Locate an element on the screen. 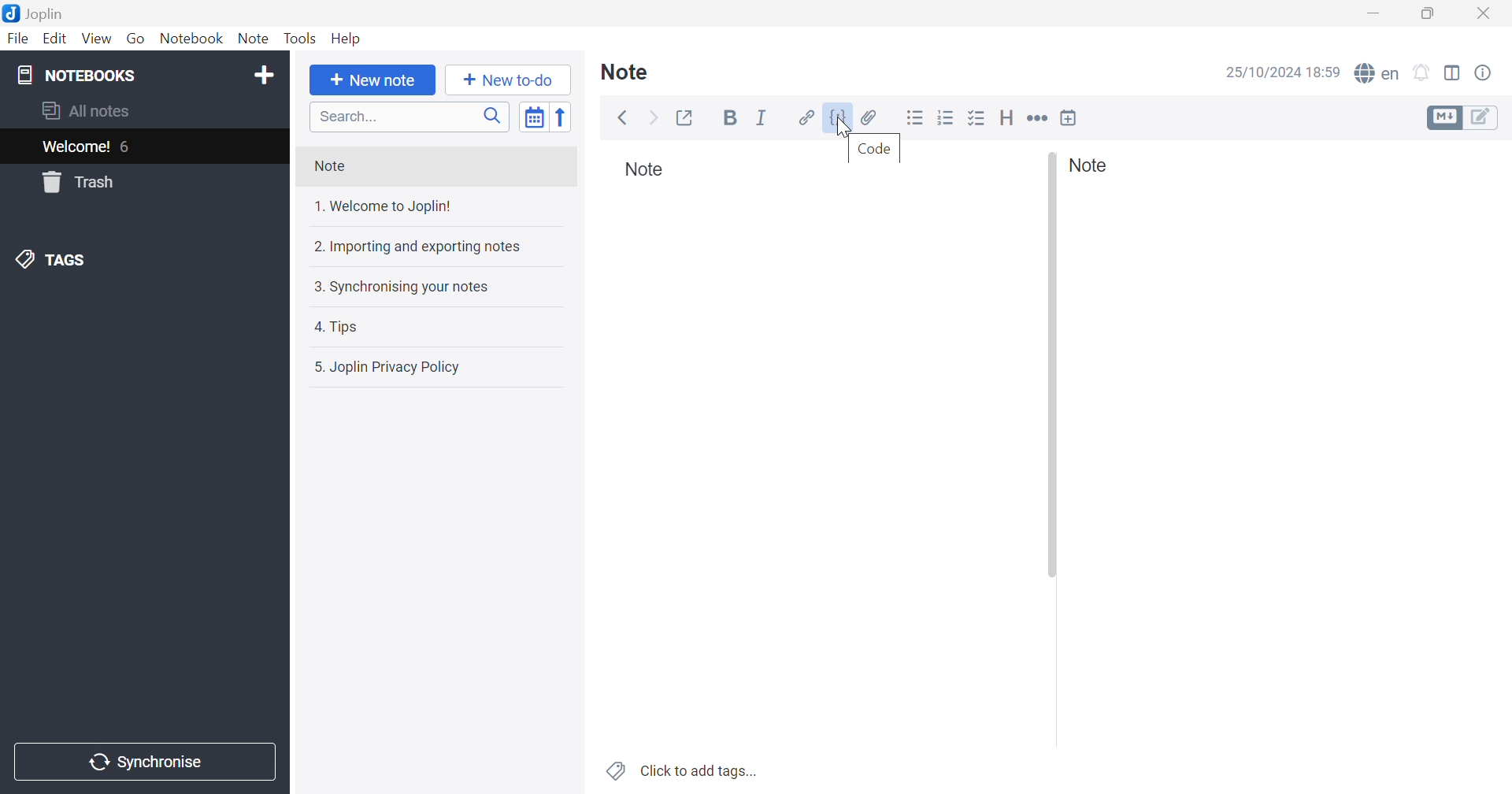  18:59 is located at coordinates (1325, 74).